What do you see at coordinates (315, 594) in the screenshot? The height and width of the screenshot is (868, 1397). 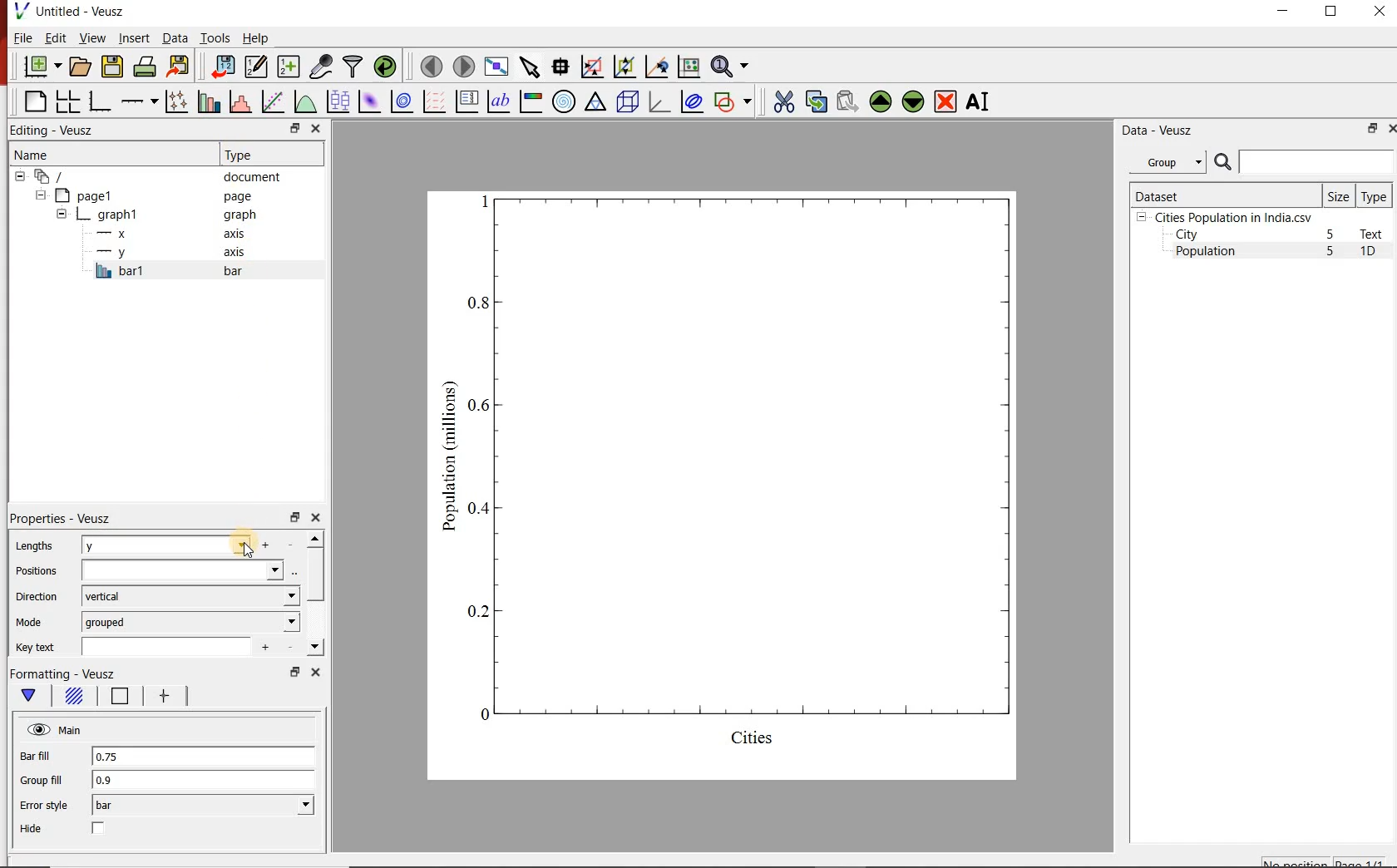 I see `scrollbar` at bounding box center [315, 594].